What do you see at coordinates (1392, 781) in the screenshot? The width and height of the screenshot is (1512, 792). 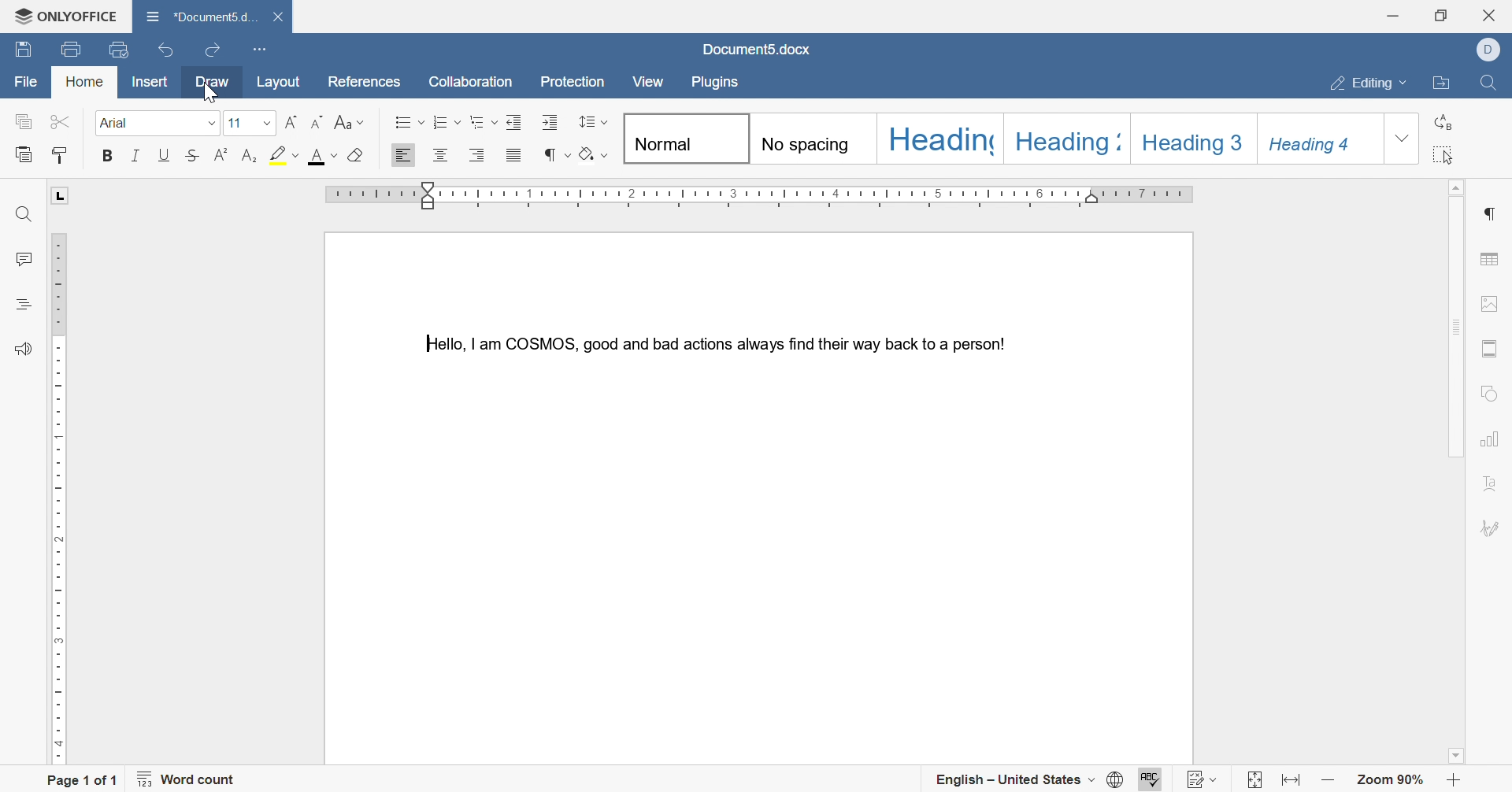 I see `zoom 90%` at bounding box center [1392, 781].